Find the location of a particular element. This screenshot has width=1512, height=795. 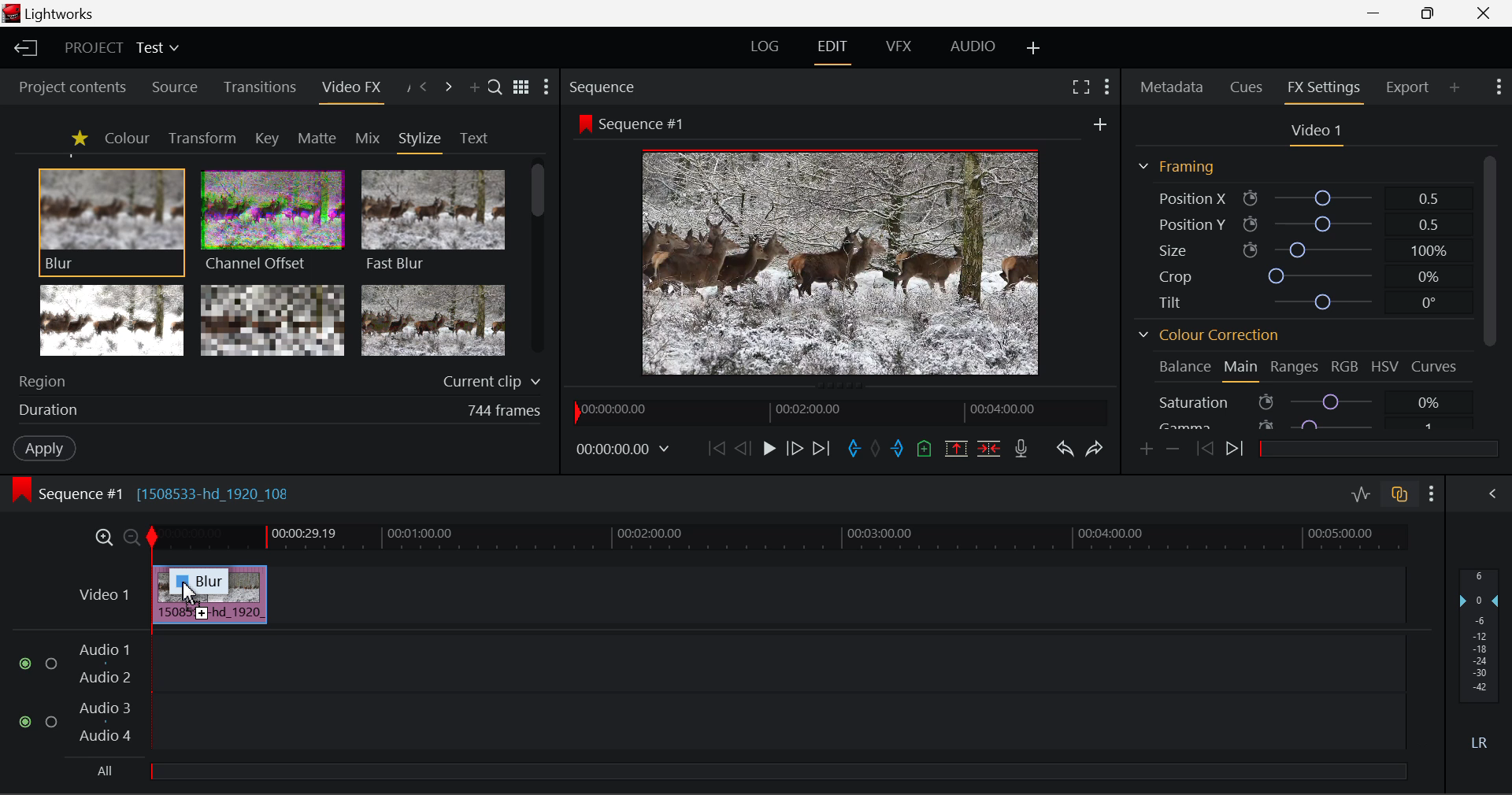

Add Panel is located at coordinates (474, 89).